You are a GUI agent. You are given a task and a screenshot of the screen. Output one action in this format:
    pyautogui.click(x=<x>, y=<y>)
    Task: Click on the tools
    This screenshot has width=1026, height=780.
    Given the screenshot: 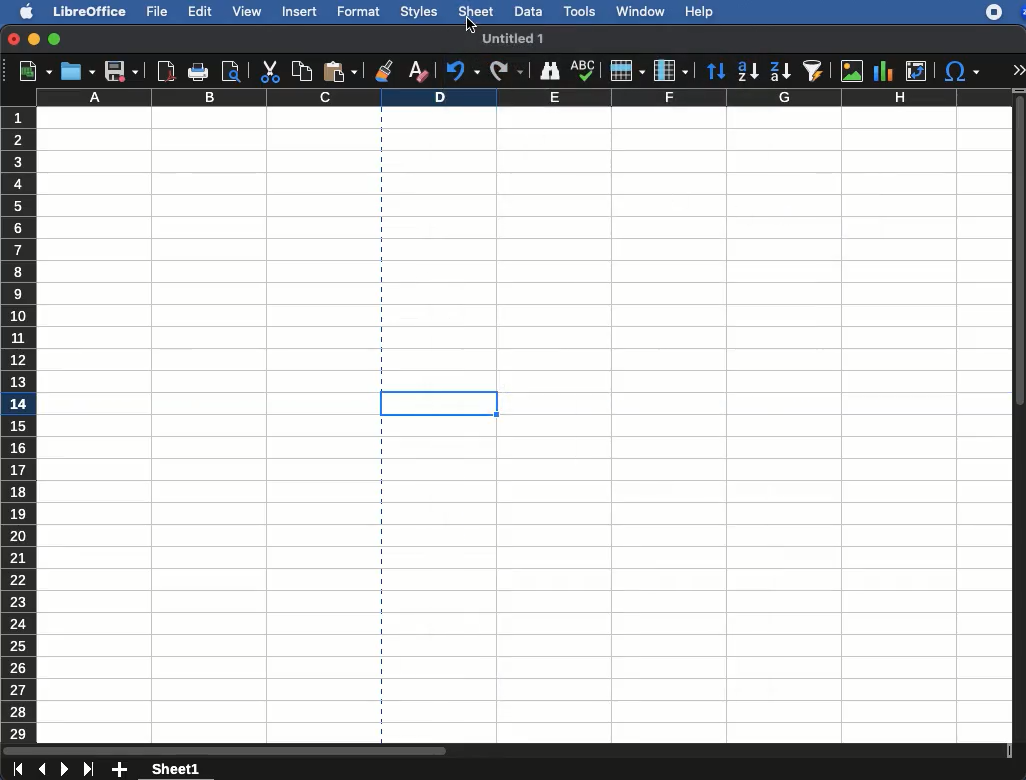 What is the action you would take?
    pyautogui.click(x=580, y=13)
    